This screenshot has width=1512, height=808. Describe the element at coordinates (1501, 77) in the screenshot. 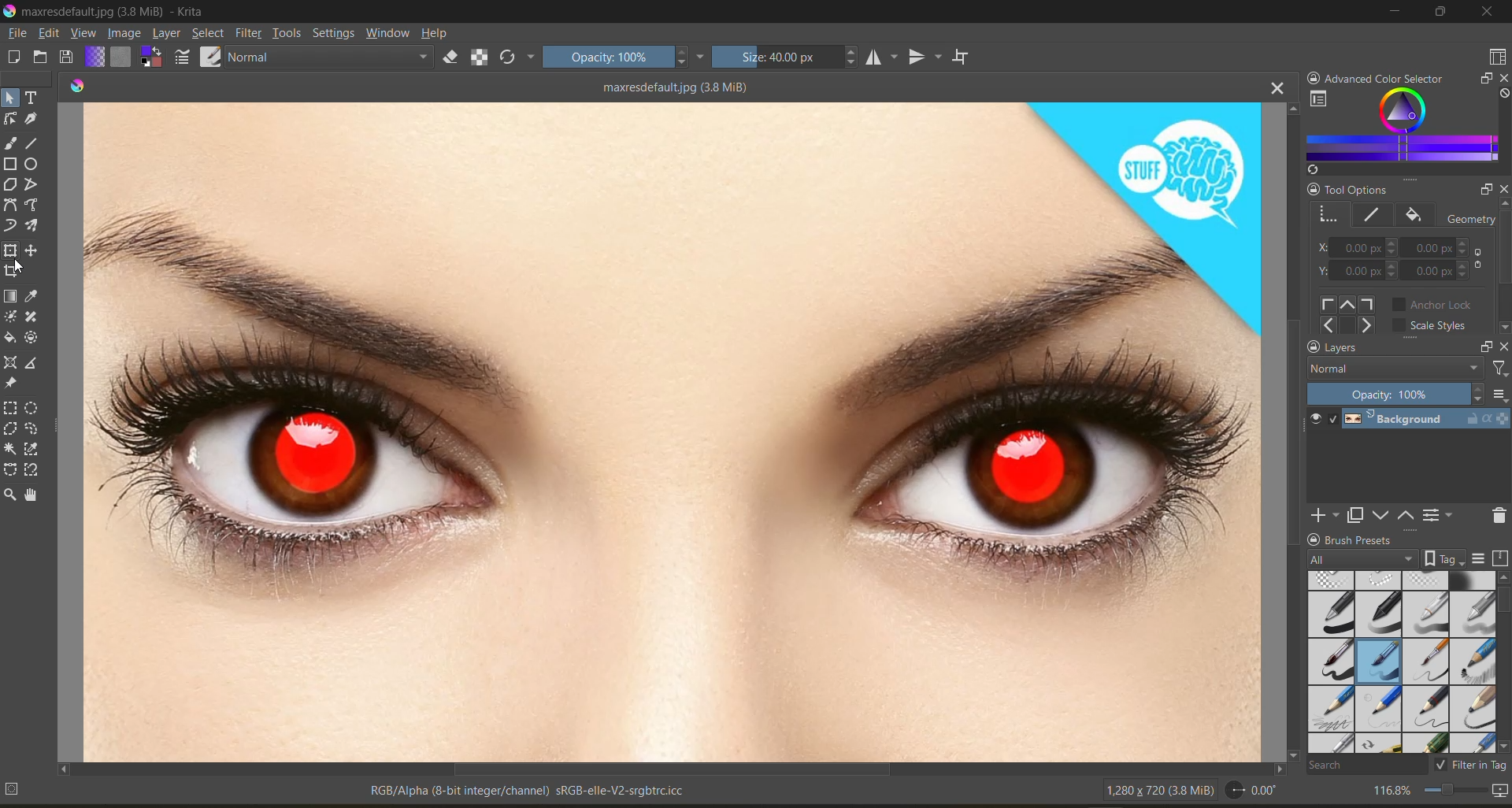

I see `close docker` at that location.